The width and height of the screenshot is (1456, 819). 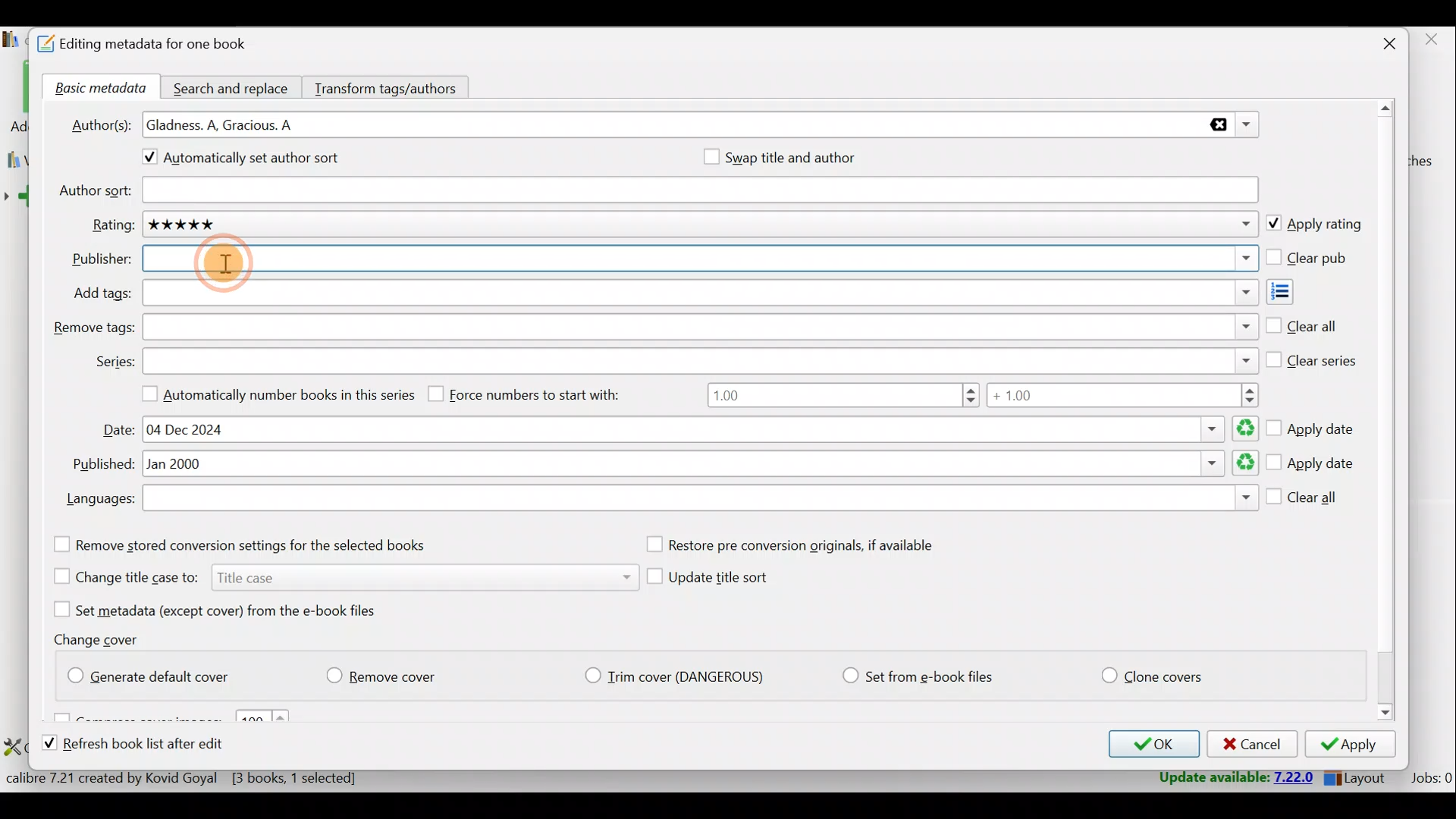 What do you see at coordinates (699, 260) in the screenshot?
I see `Publisher` at bounding box center [699, 260].